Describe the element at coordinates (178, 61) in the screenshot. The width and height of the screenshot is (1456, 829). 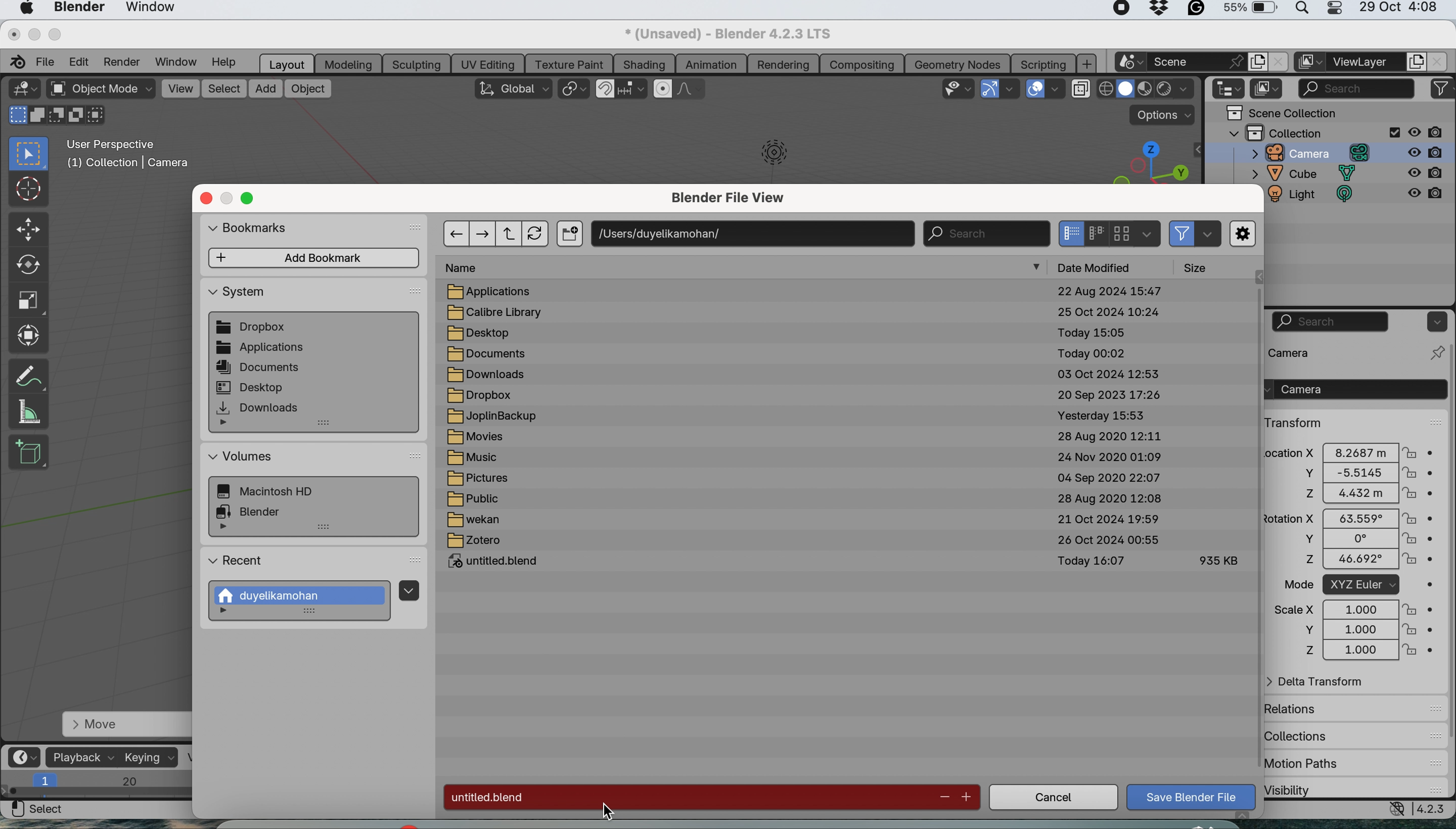
I see `window` at that location.